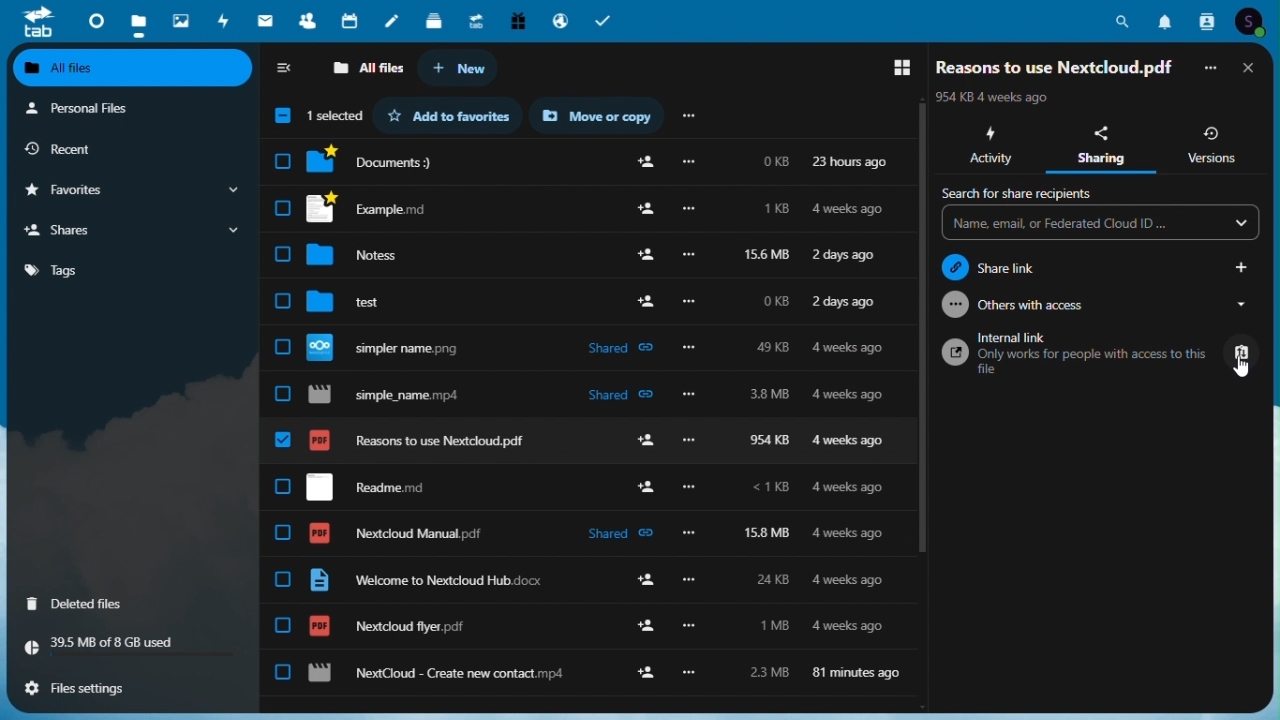 The image size is (1280, 720). What do you see at coordinates (618, 349) in the screenshot?
I see `shared` at bounding box center [618, 349].